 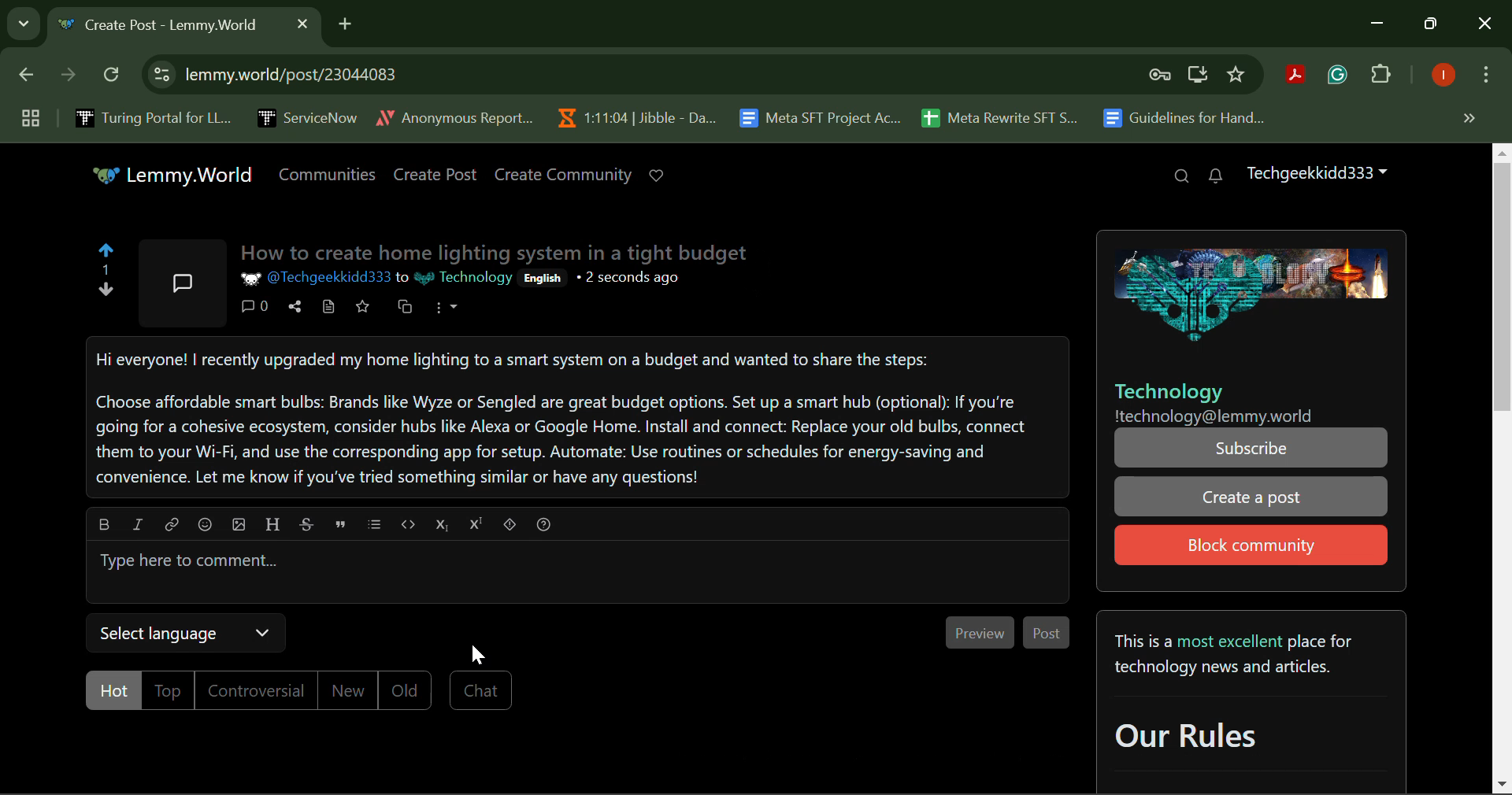 What do you see at coordinates (167, 27) in the screenshot?
I see `Webpage Heading` at bounding box center [167, 27].